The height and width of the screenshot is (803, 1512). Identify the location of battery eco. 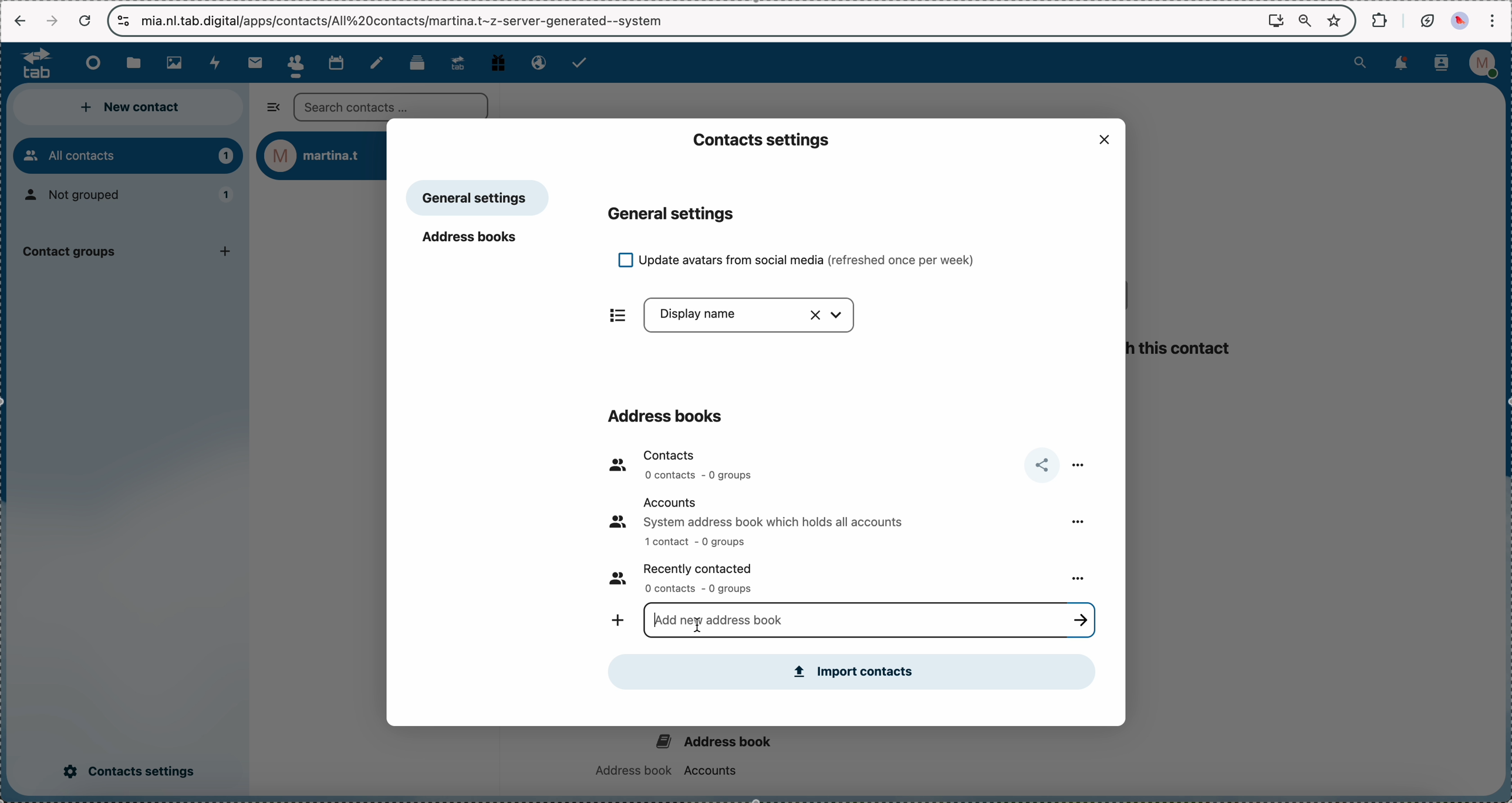
(1427, 20).